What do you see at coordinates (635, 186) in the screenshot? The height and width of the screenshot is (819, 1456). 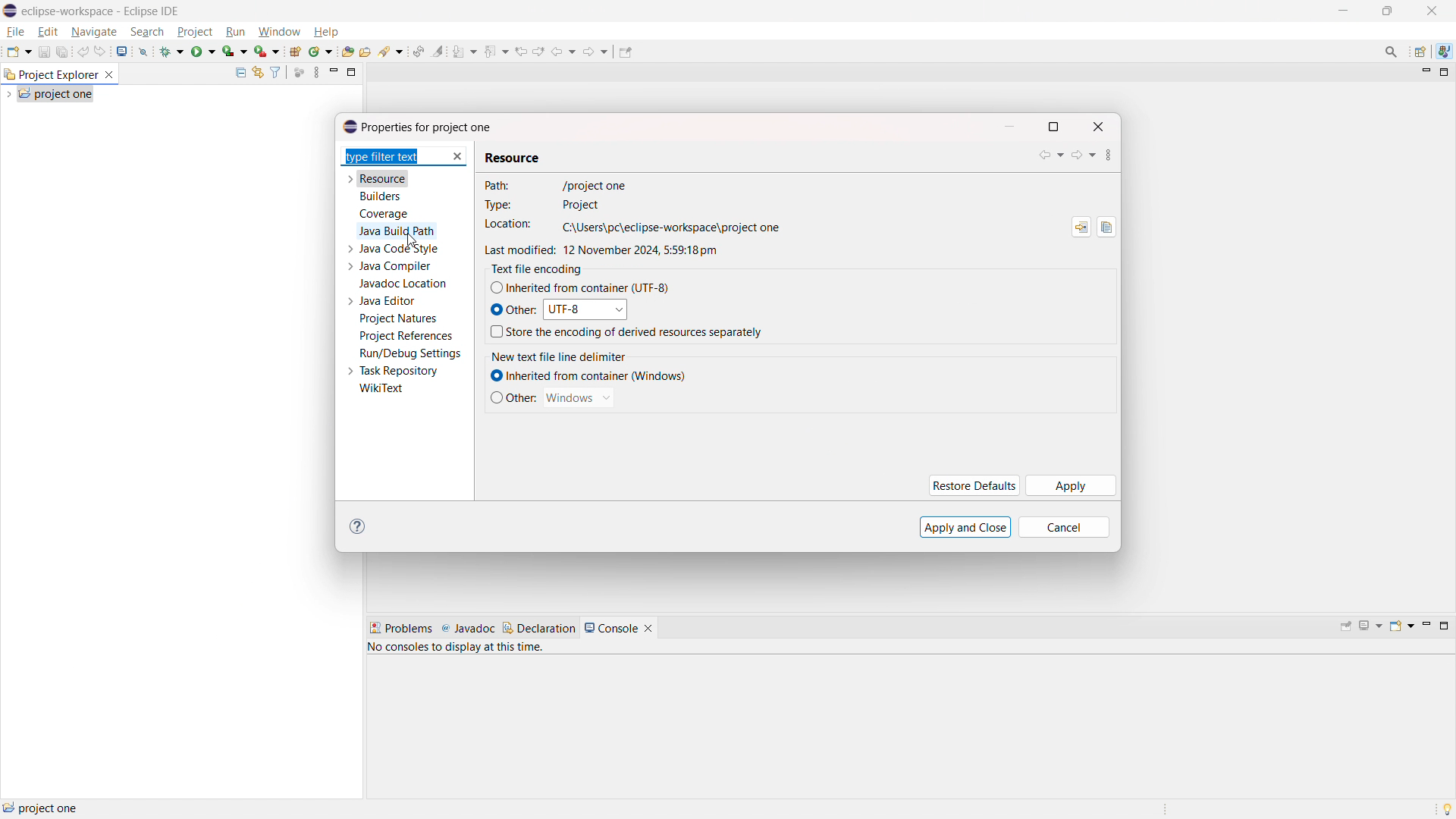 I see `path: /project one` at bounding box center [635, 186].